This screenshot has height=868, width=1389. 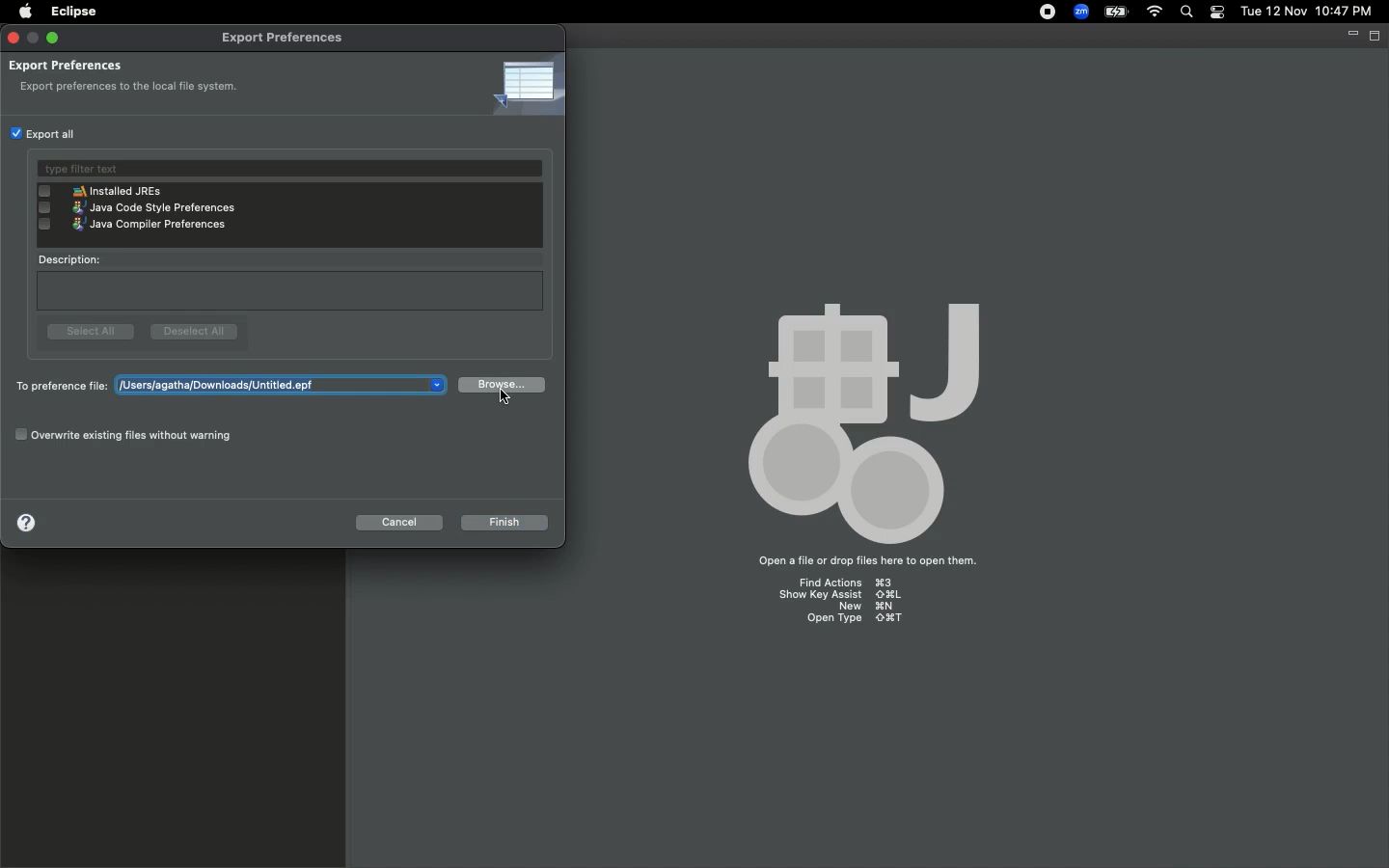 I want to click on open type , so click(x=863, y=619).